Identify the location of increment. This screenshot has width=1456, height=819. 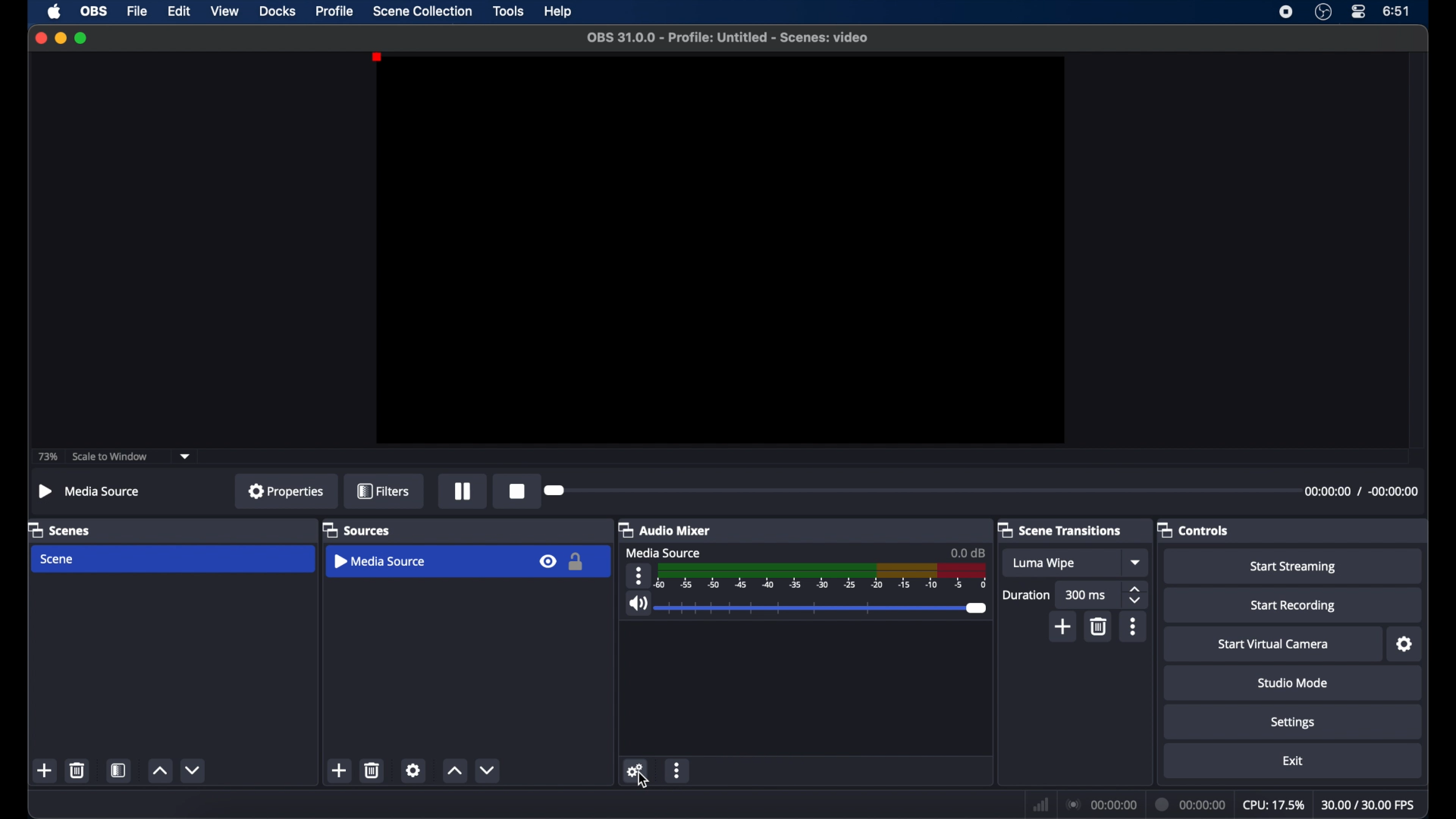
(454, 772).